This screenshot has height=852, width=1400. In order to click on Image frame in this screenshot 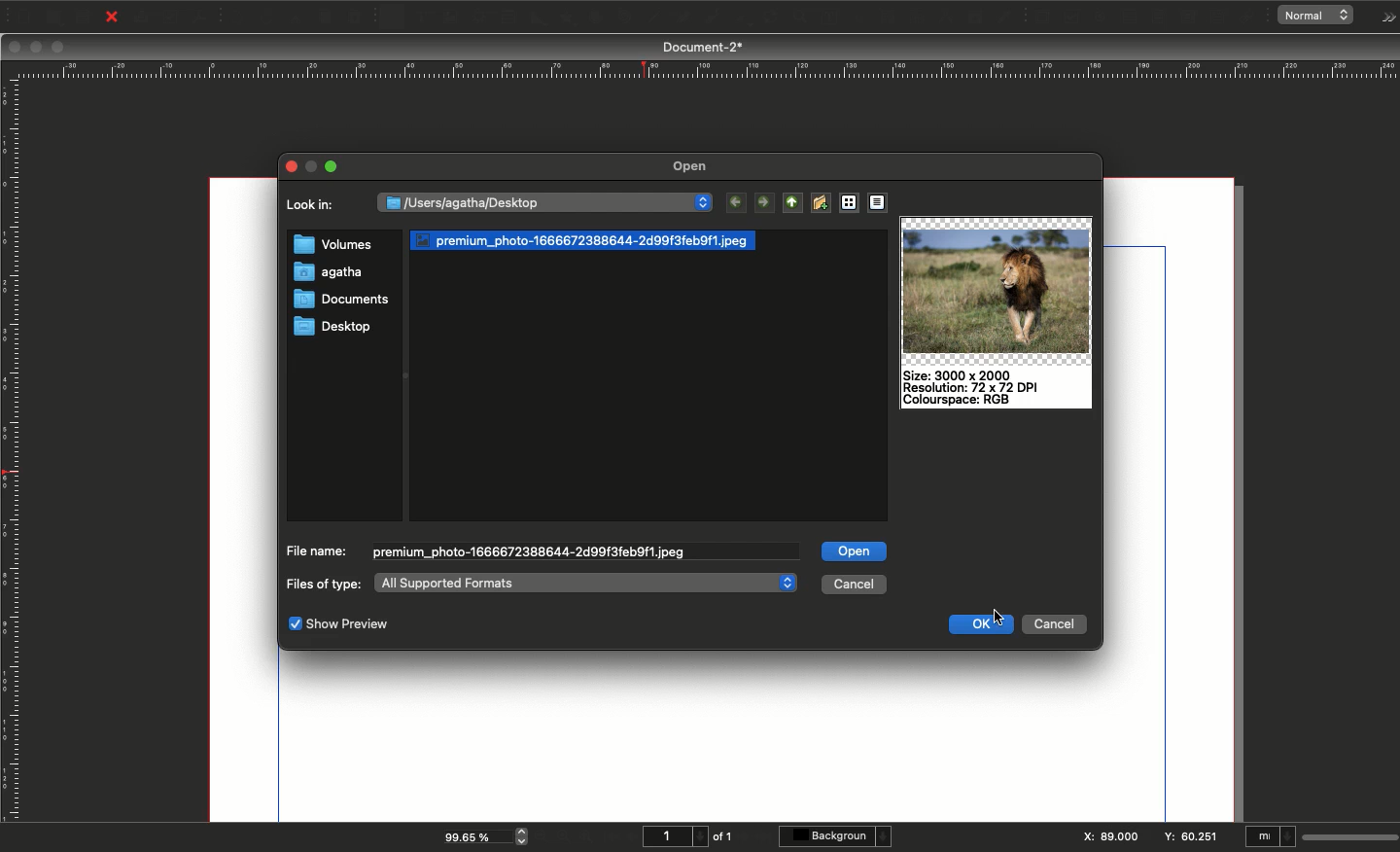, I will do `click(453, 19)`.